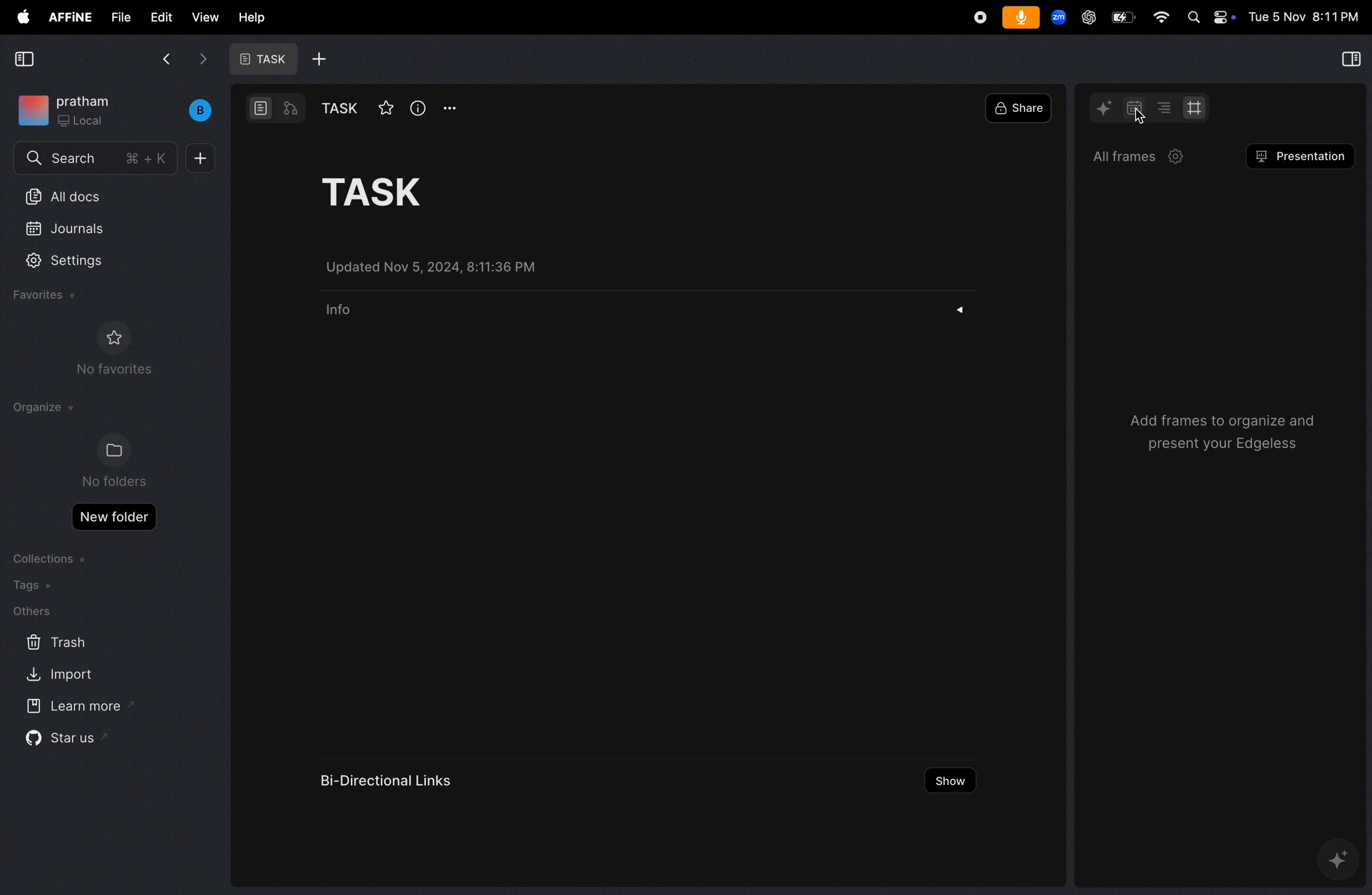 Image resolution: width=1372 pixels, height=895 pixels. Describe the element at coordinates (116, 16) in the screenshot. I see `file` at that location.